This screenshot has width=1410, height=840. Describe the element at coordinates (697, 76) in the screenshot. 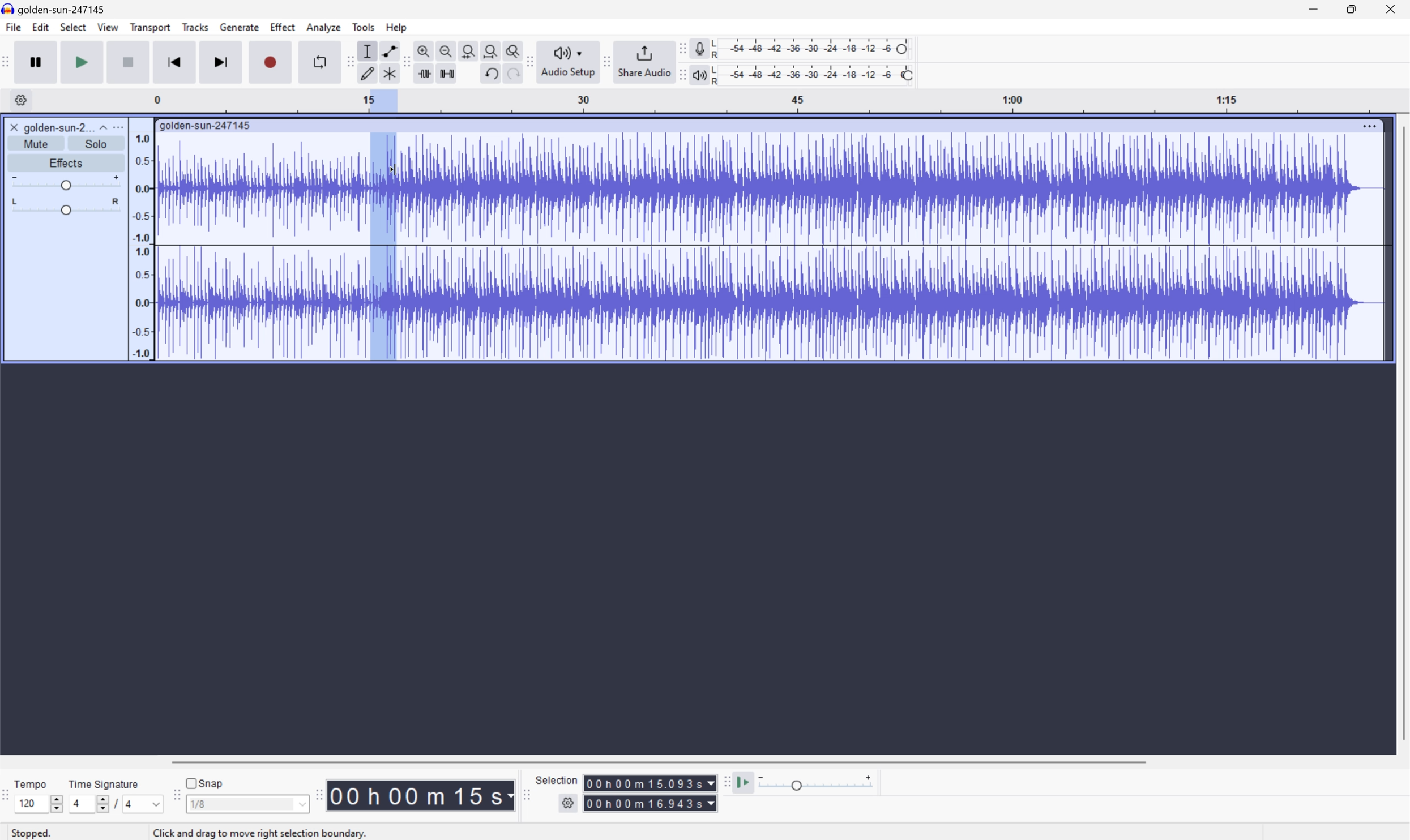

I see `Playback meter` at that location.